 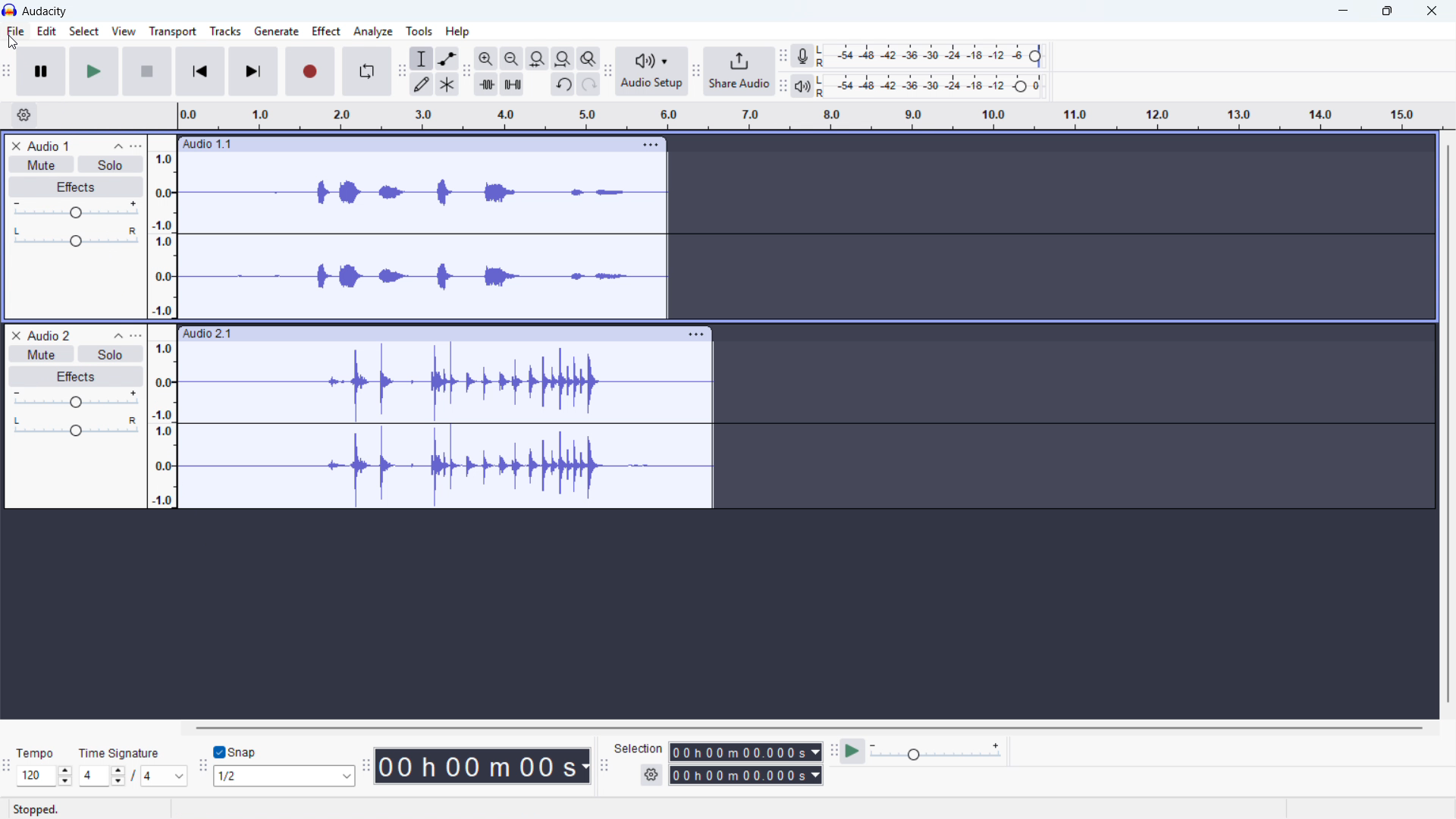 What do you see at coordinates (400, 145) in the screenshot?
I see `Click to drag ` at bounding box center [400, 145].